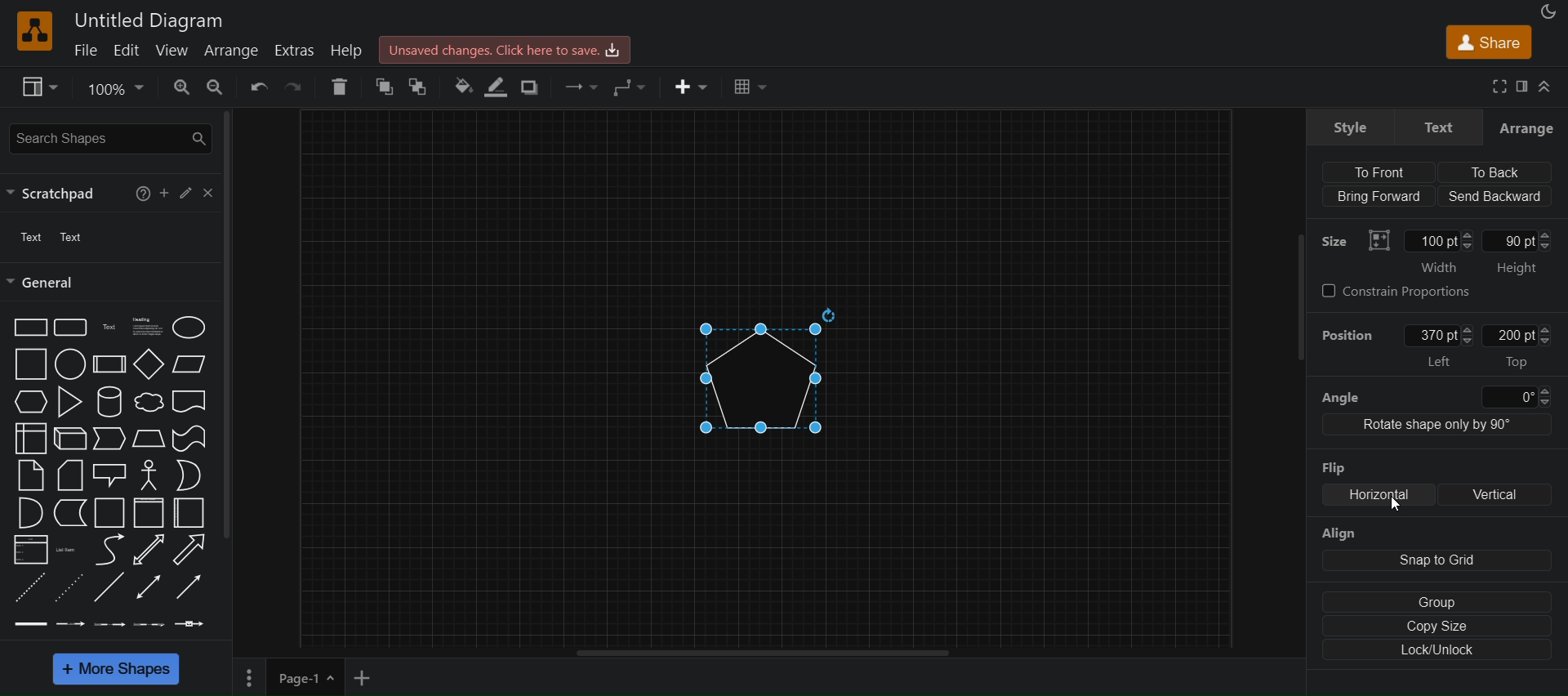 The height and width of the screenshot is (696, 1568). I want to click on Cube, so click(70, 439).